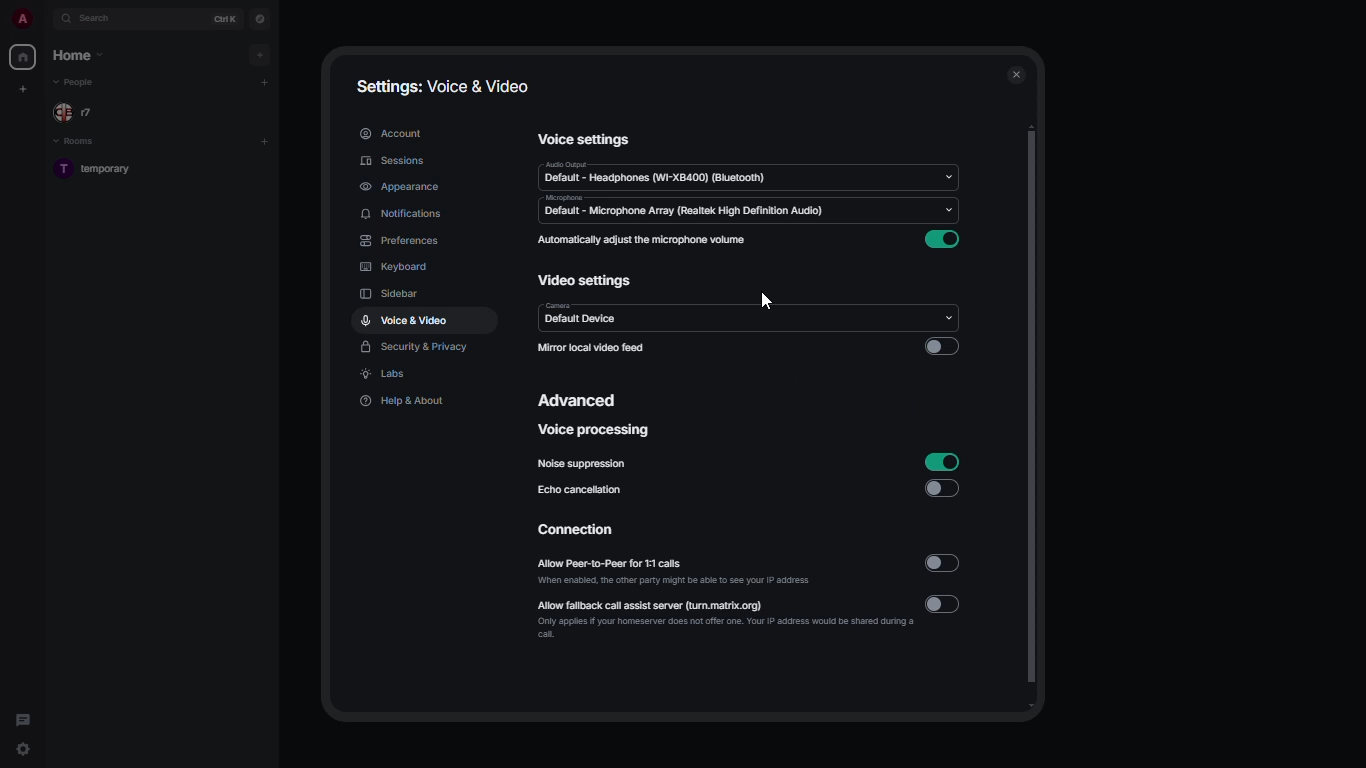  What do you see at coordinates (1017, 75) in the screenshot?
I see `close` at bounding box center [1017, 75].